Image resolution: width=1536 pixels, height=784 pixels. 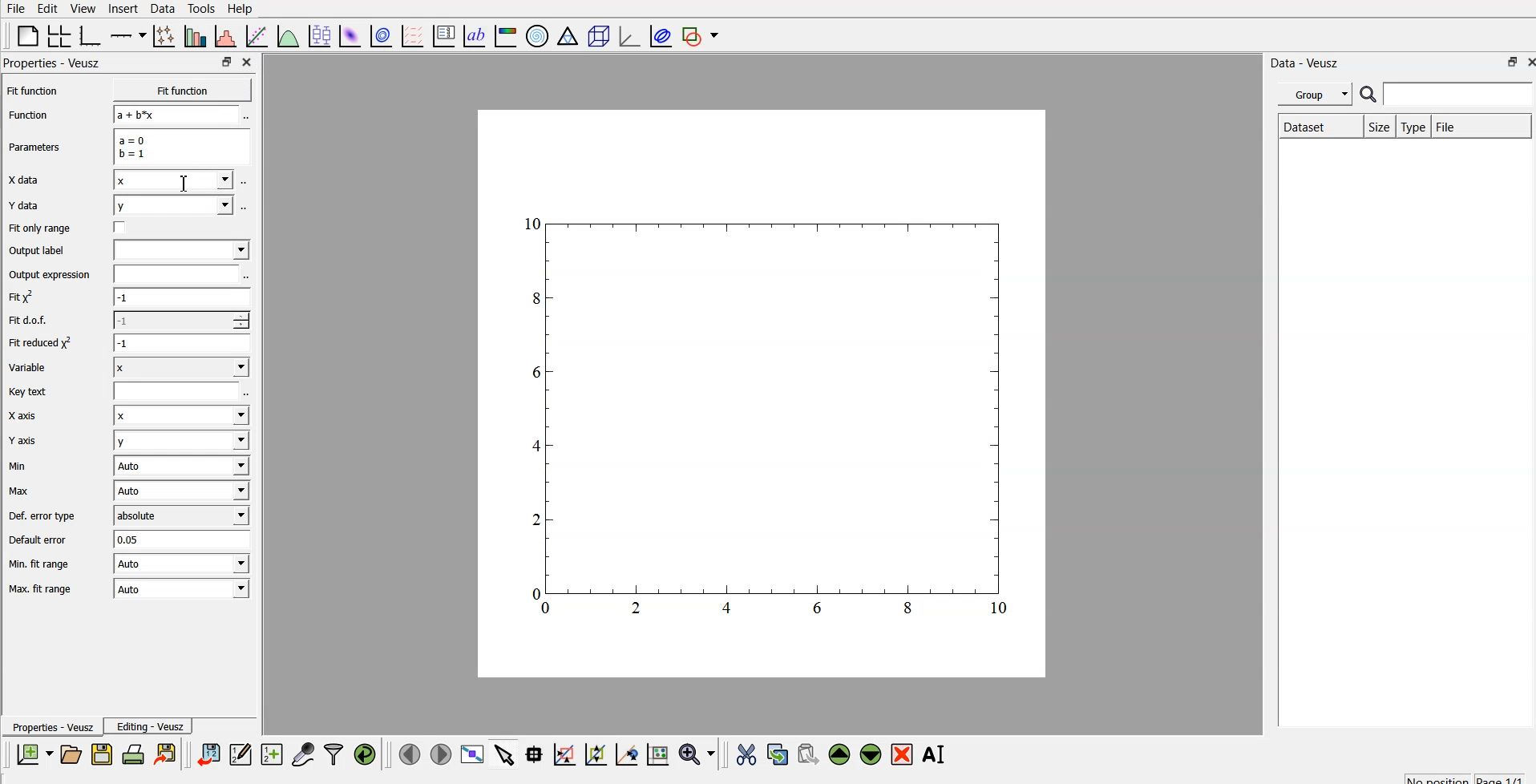 What do you see at coordinates (903, 755) in the screenshot?
I see `remove the selected widget` at bounding box center [903, 755].